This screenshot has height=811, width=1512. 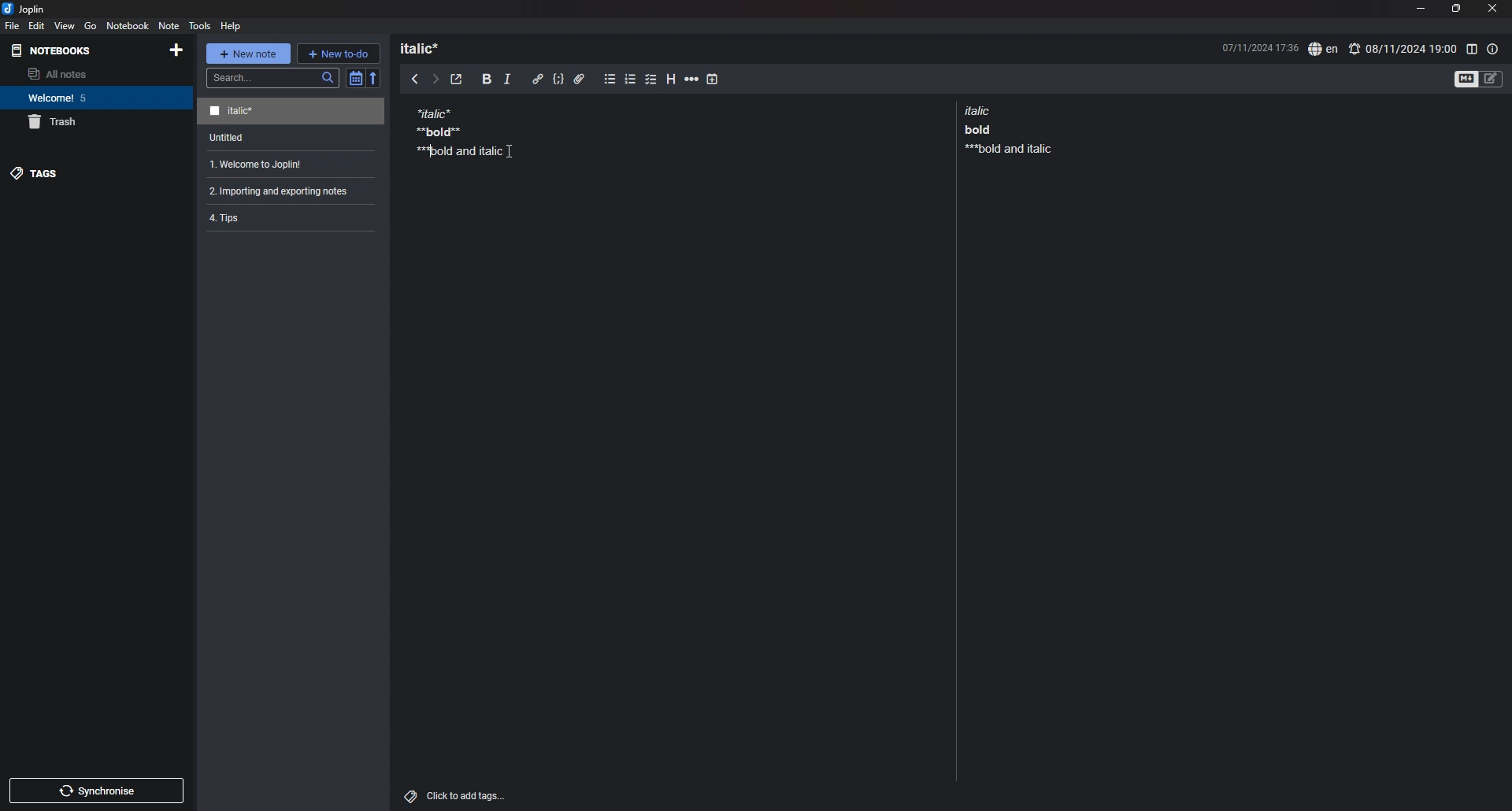 What do you see at coordinates (1493, 49) in the screenshot?
I see `note properties` at bounding box center [1493, 49].